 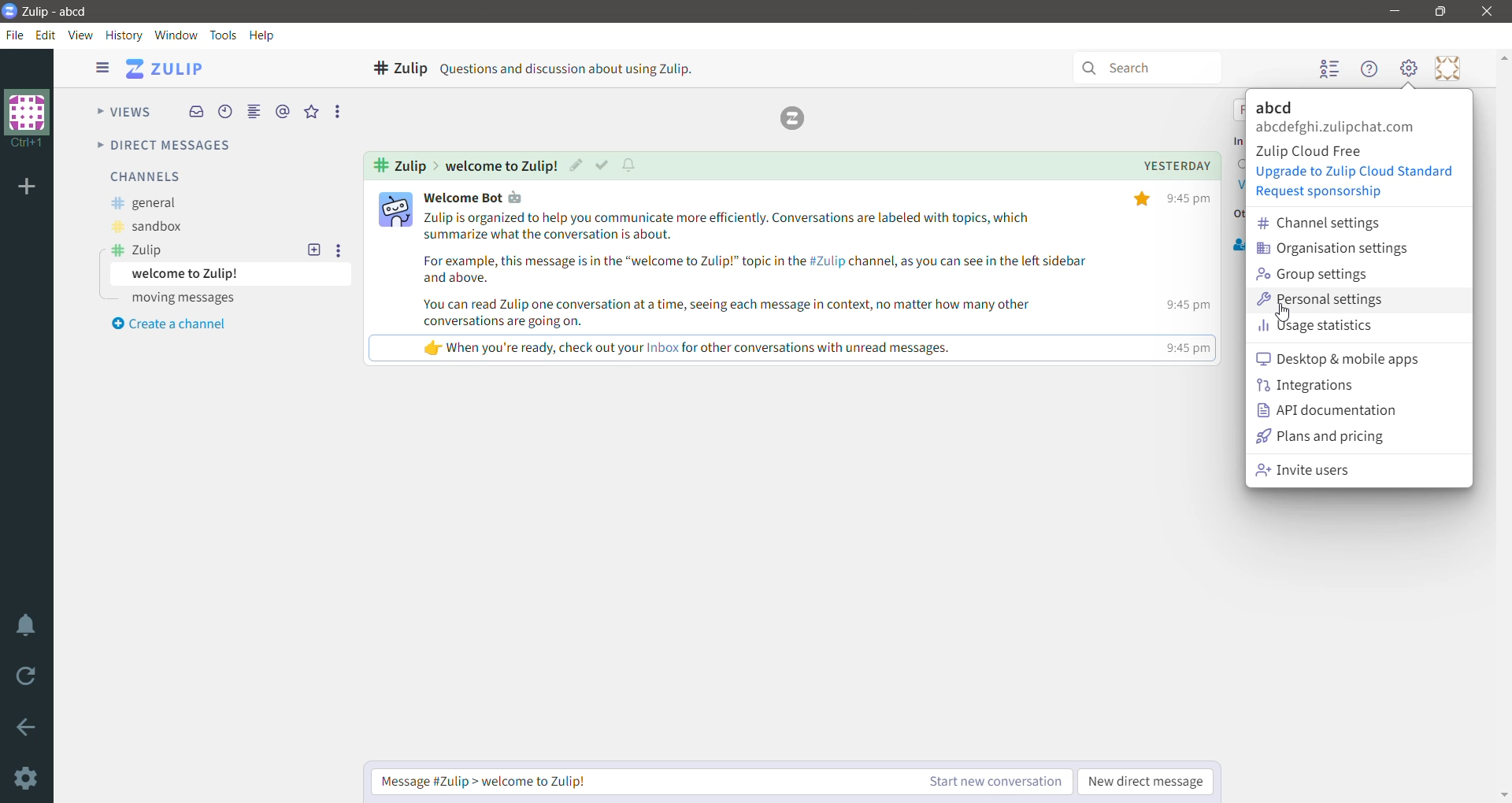 What do you see at coordinates (48, 35) in the screenshot?
I see `Edit` at bounding box center [48, 35].